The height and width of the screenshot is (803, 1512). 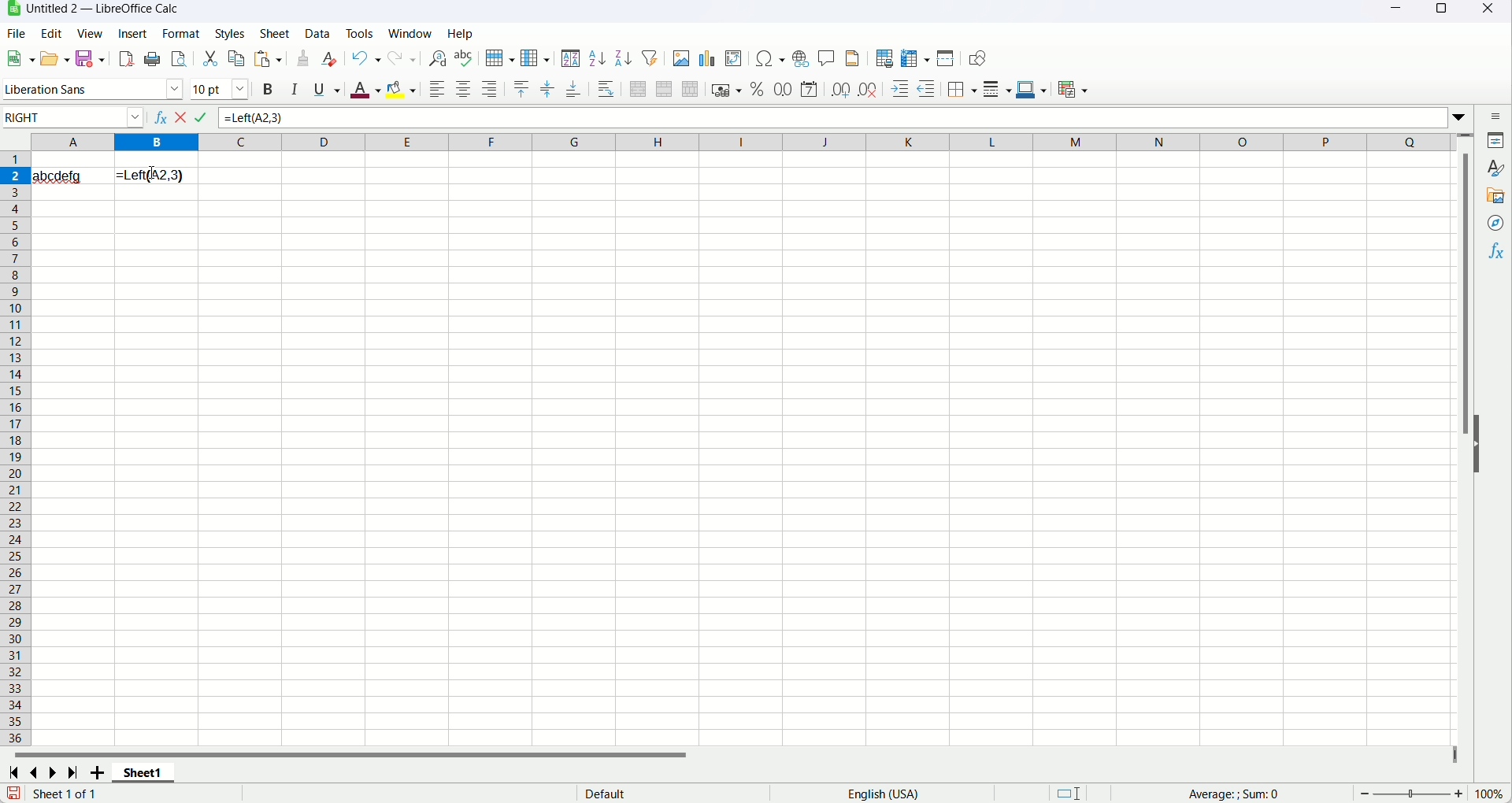 I want to click on style, so click(x=1492, y=168).